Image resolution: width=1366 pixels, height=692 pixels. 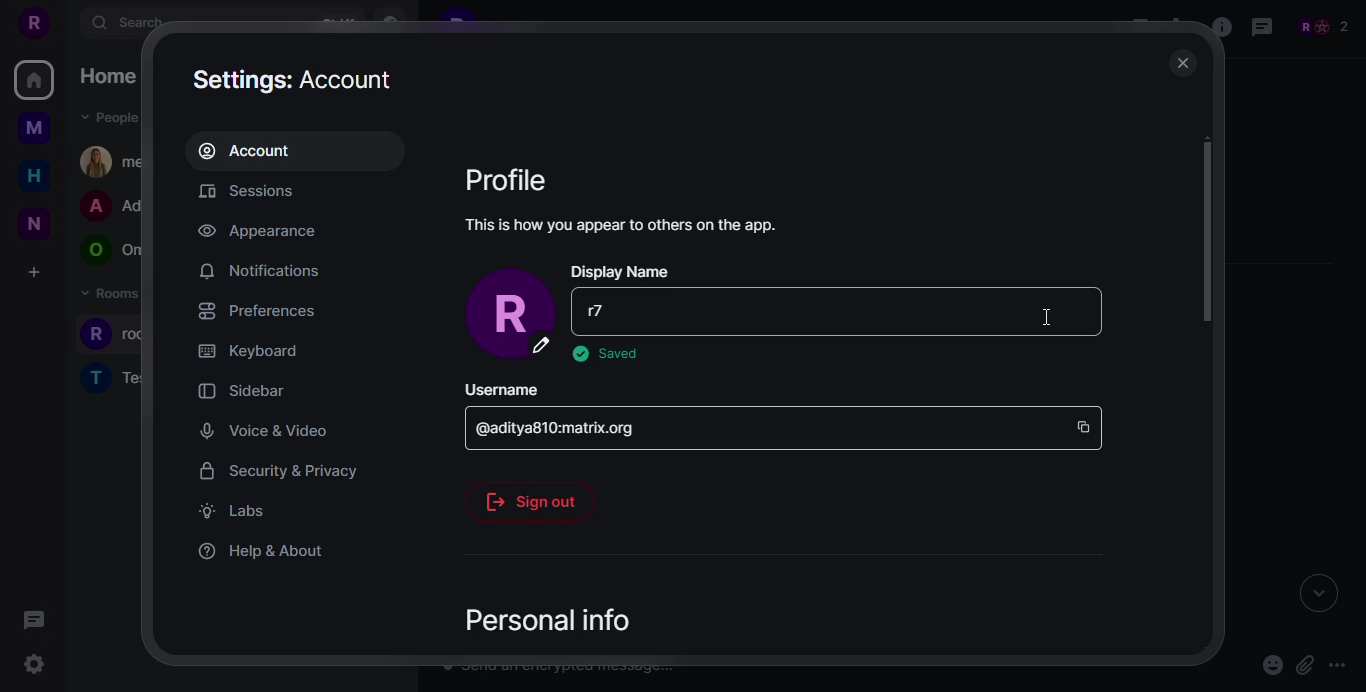 What do you see at coordinates (109, 78) in the screenshot?
I see `home` at bounding box center [109, 78].